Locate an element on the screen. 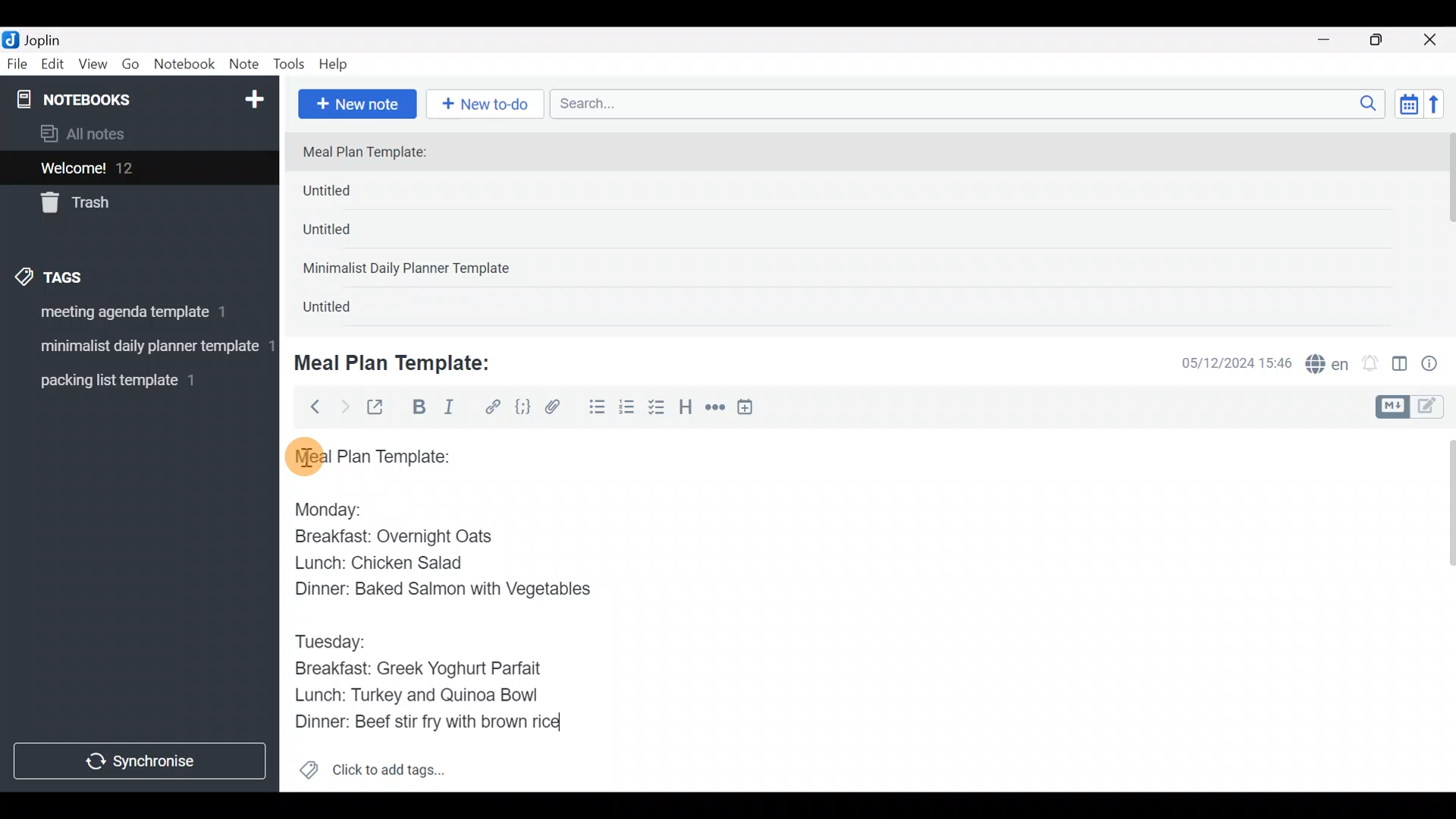  Italic is located at coordinates (447, 410).